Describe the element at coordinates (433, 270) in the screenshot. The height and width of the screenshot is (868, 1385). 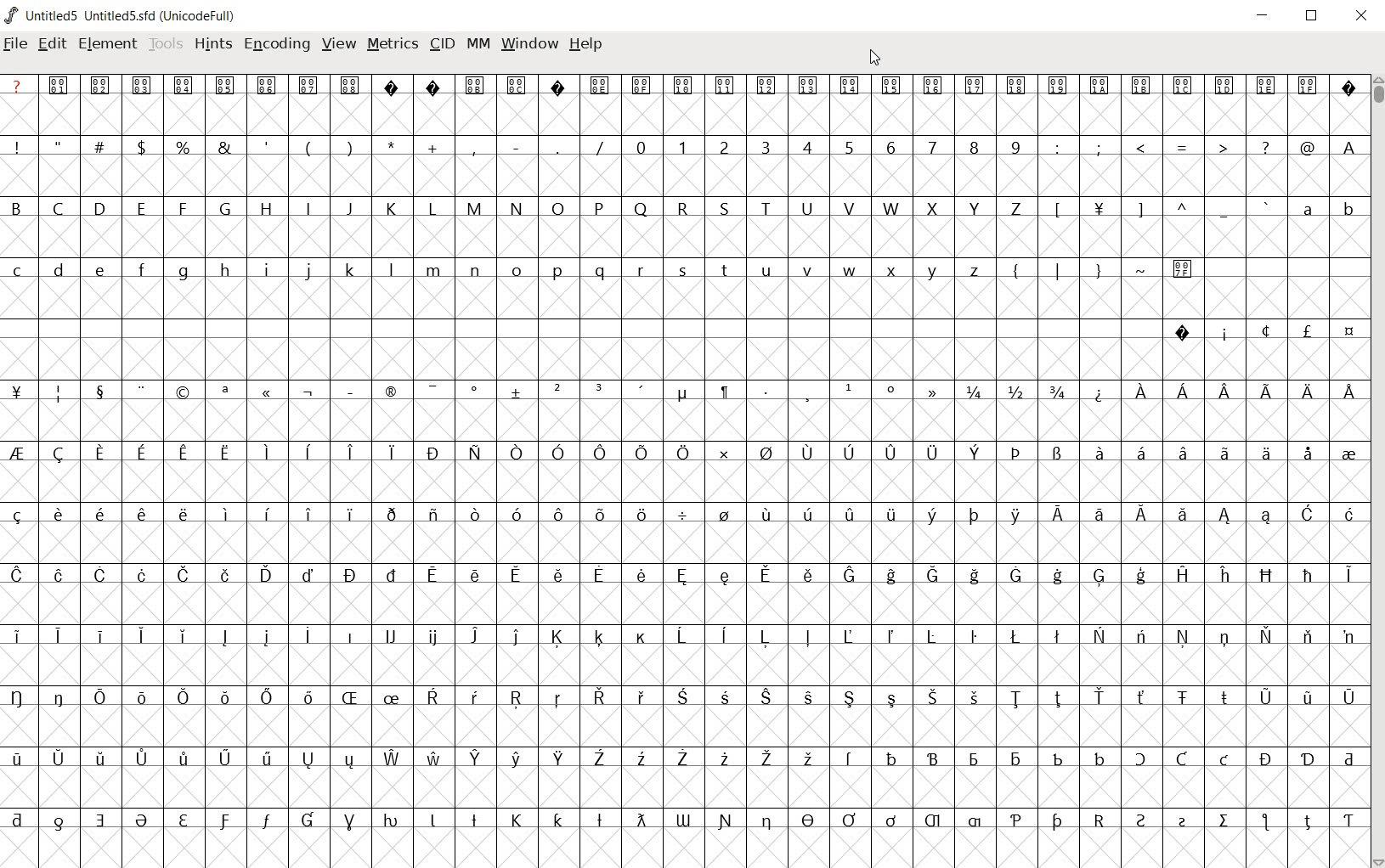
I see `m` at that location.